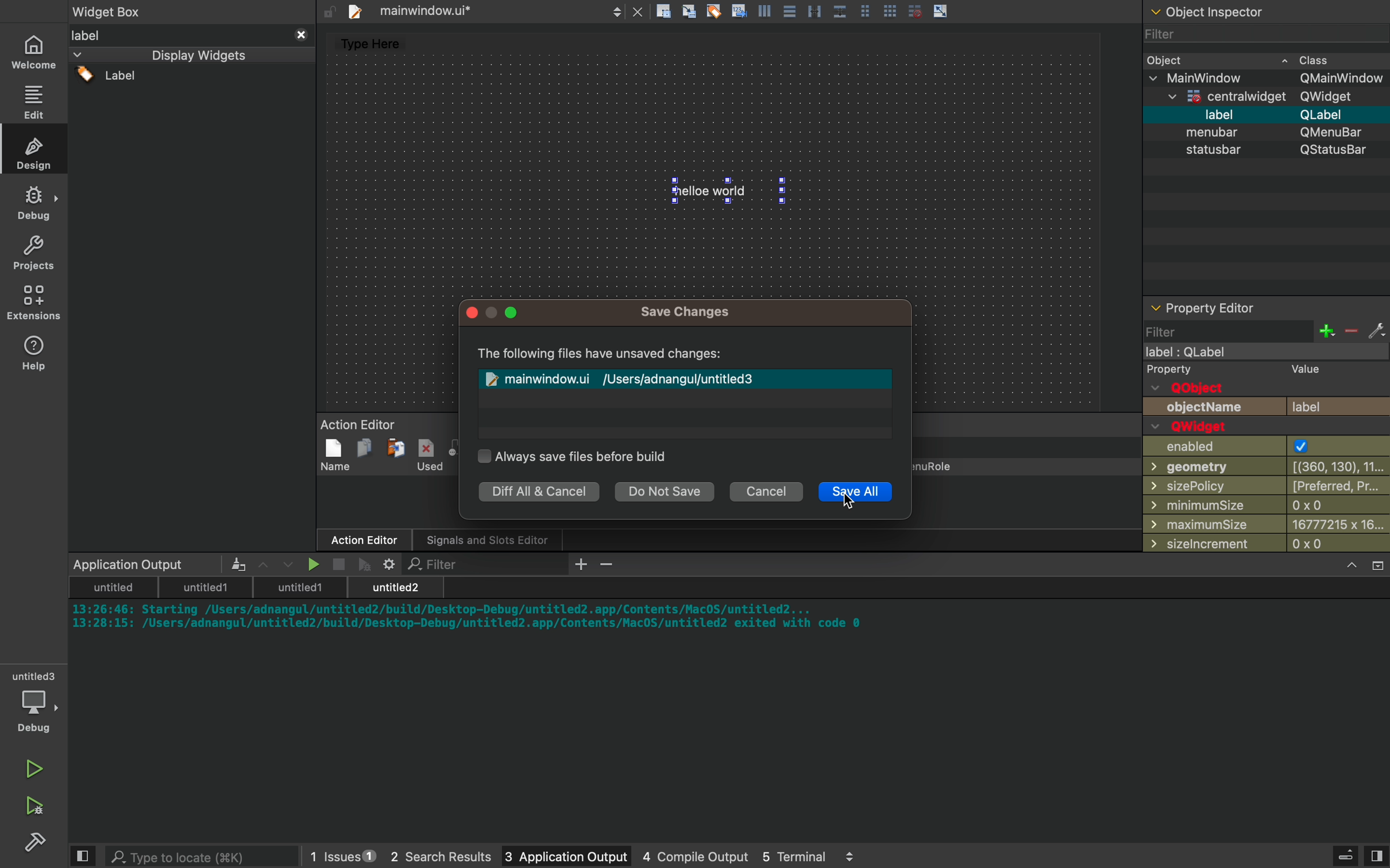 The width and height of the screenshot is (1390, 868). What do you see at coordinates (622, 352) in the screenshot?
I see `` at bounding box center [622, 352].